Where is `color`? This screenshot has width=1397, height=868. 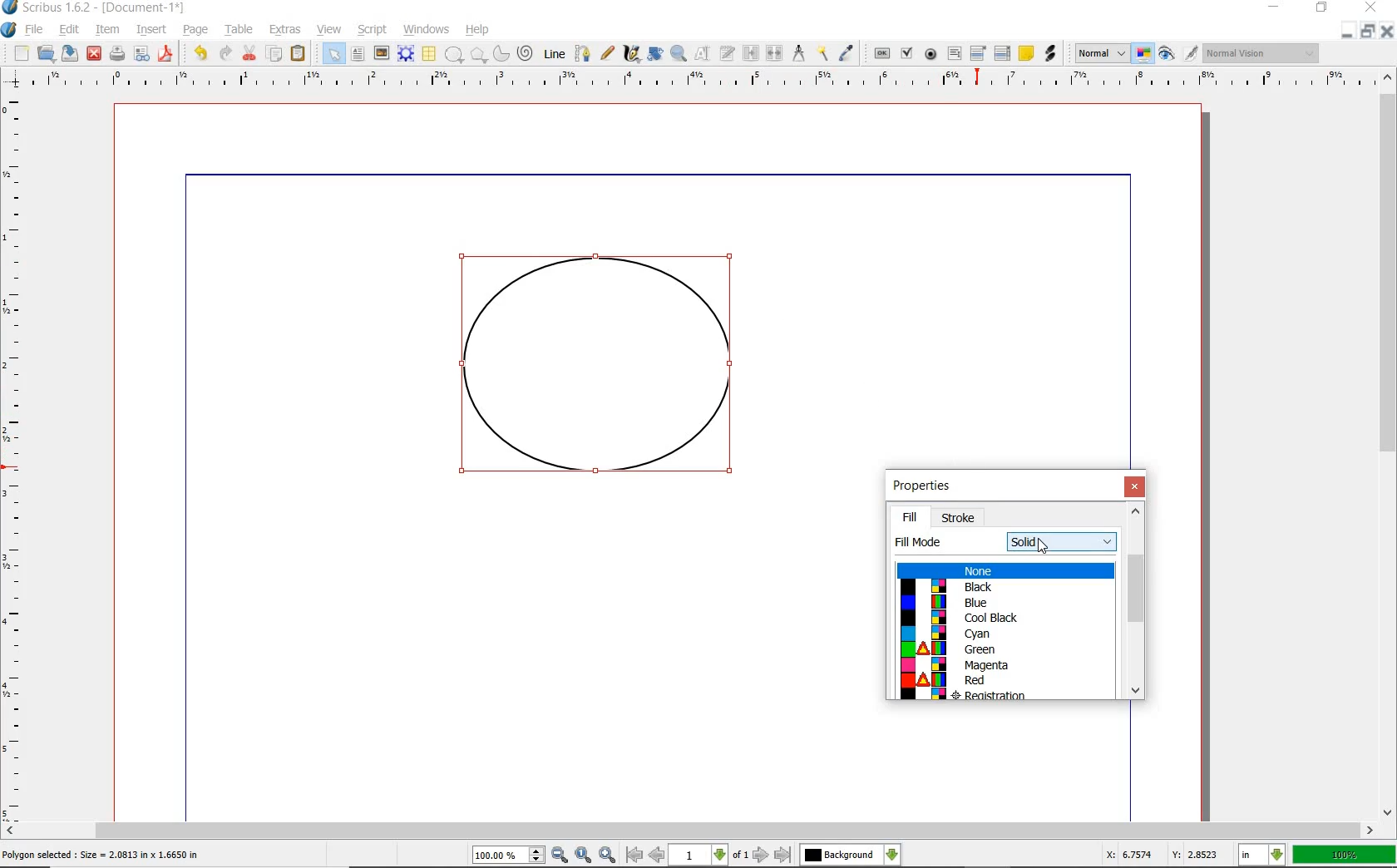 color is located at coordinates (1004, 602).